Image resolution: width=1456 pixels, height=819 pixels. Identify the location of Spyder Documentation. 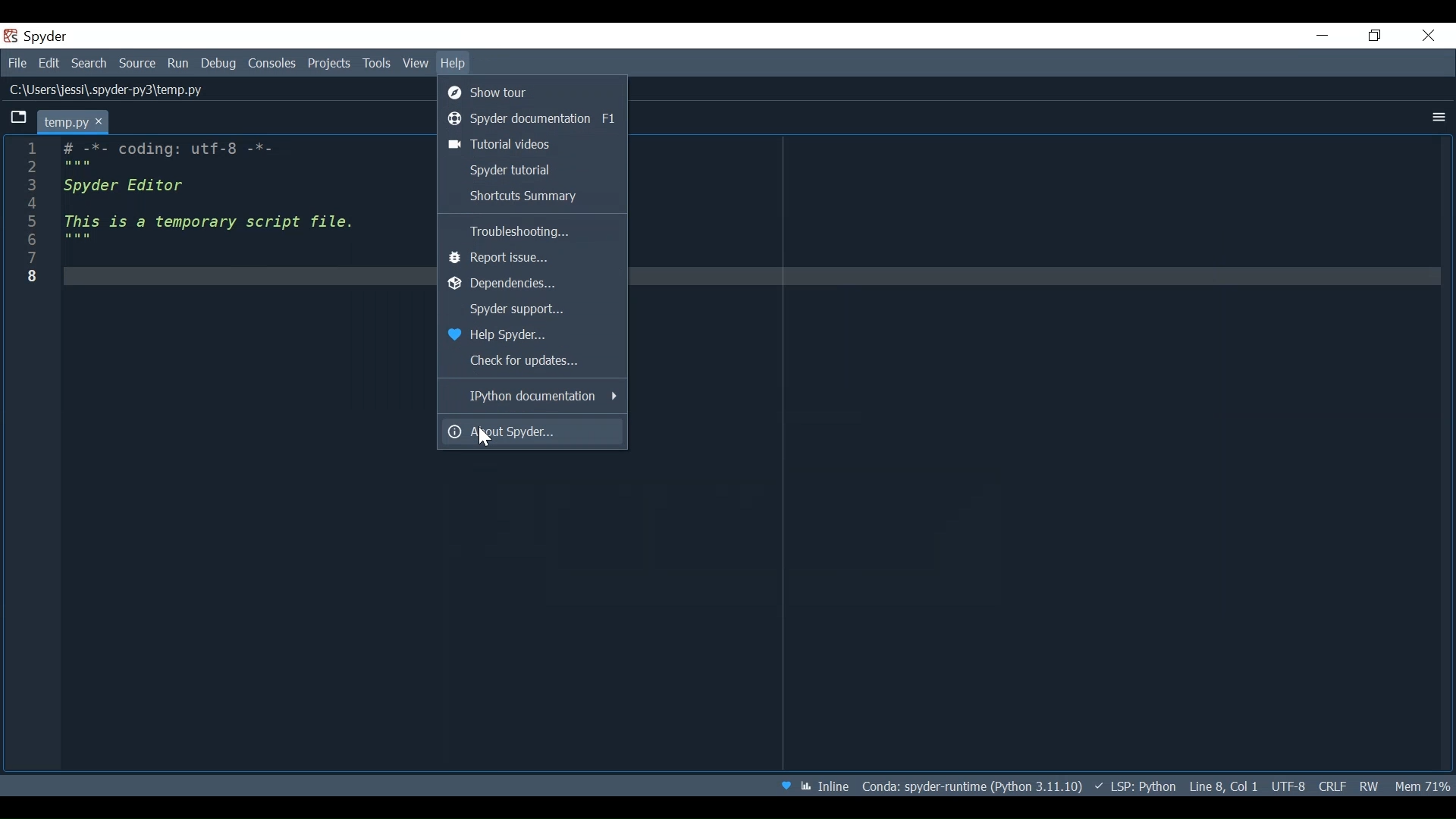
(516, 118).